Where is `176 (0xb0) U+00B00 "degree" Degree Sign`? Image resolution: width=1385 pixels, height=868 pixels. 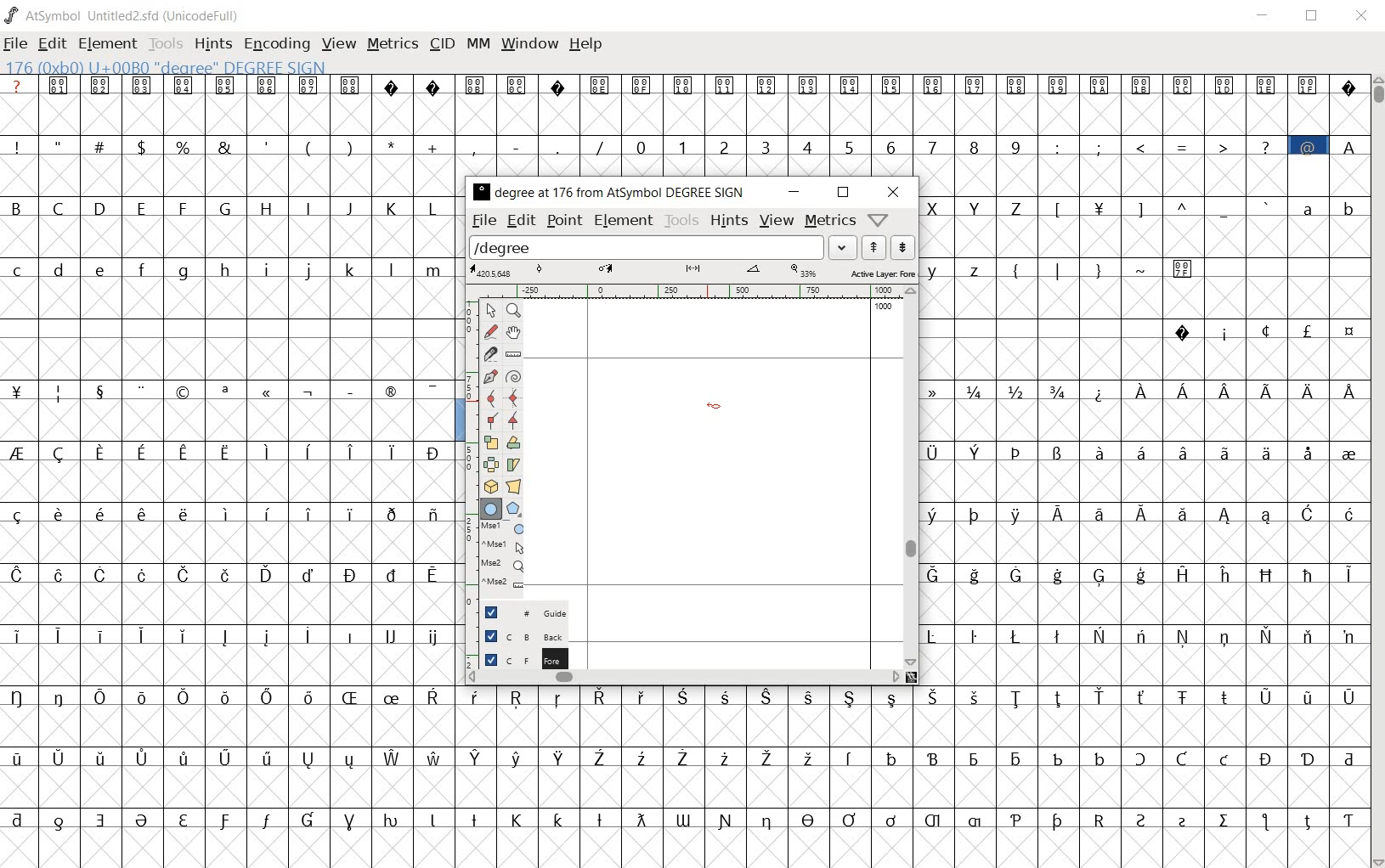 176 (0xb0) U+00B00 "degree" Degree Sign is located at coordinates (170, 68).